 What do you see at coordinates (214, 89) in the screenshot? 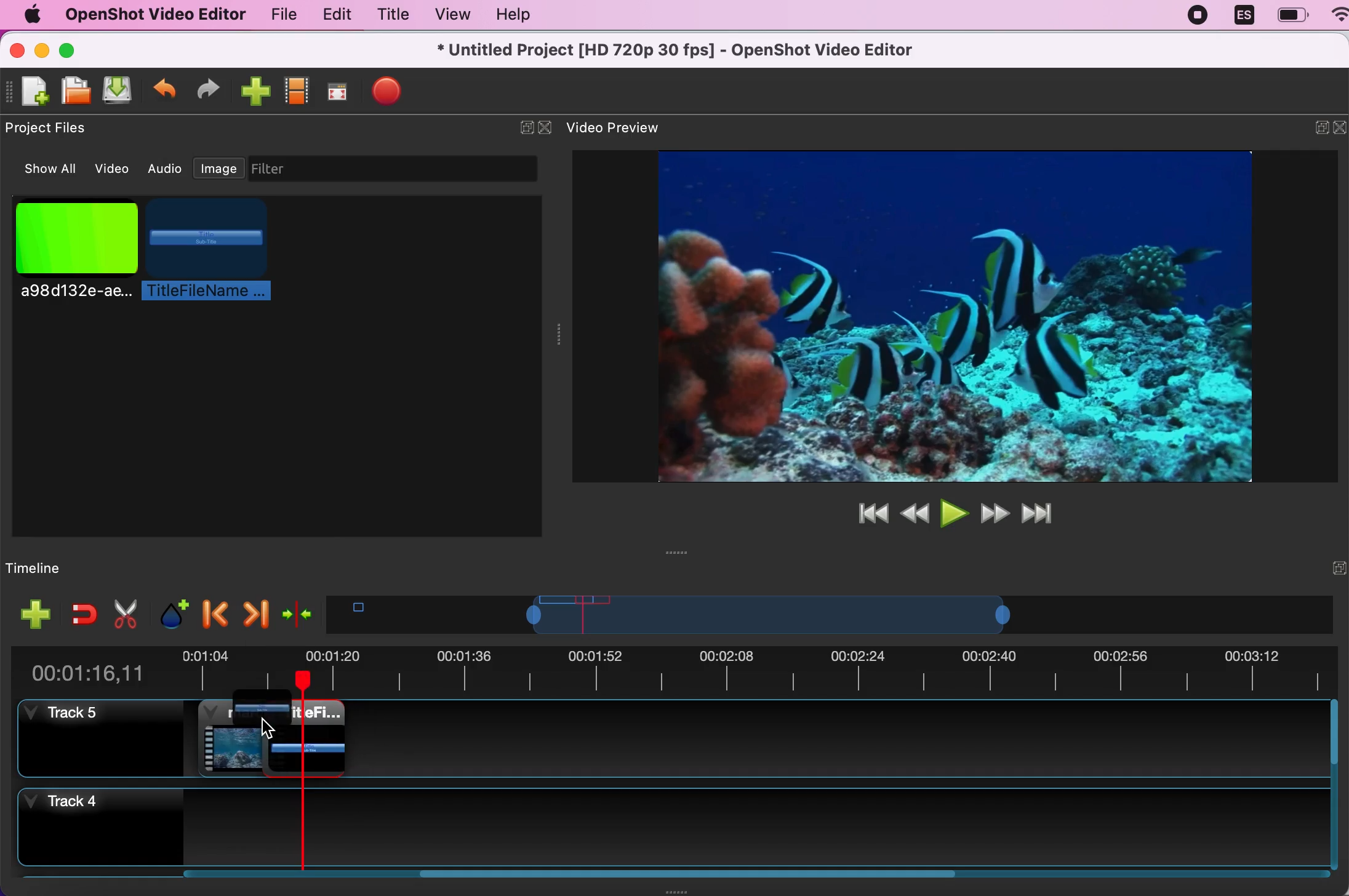
I see `redo` at bounding box center [214, 89].